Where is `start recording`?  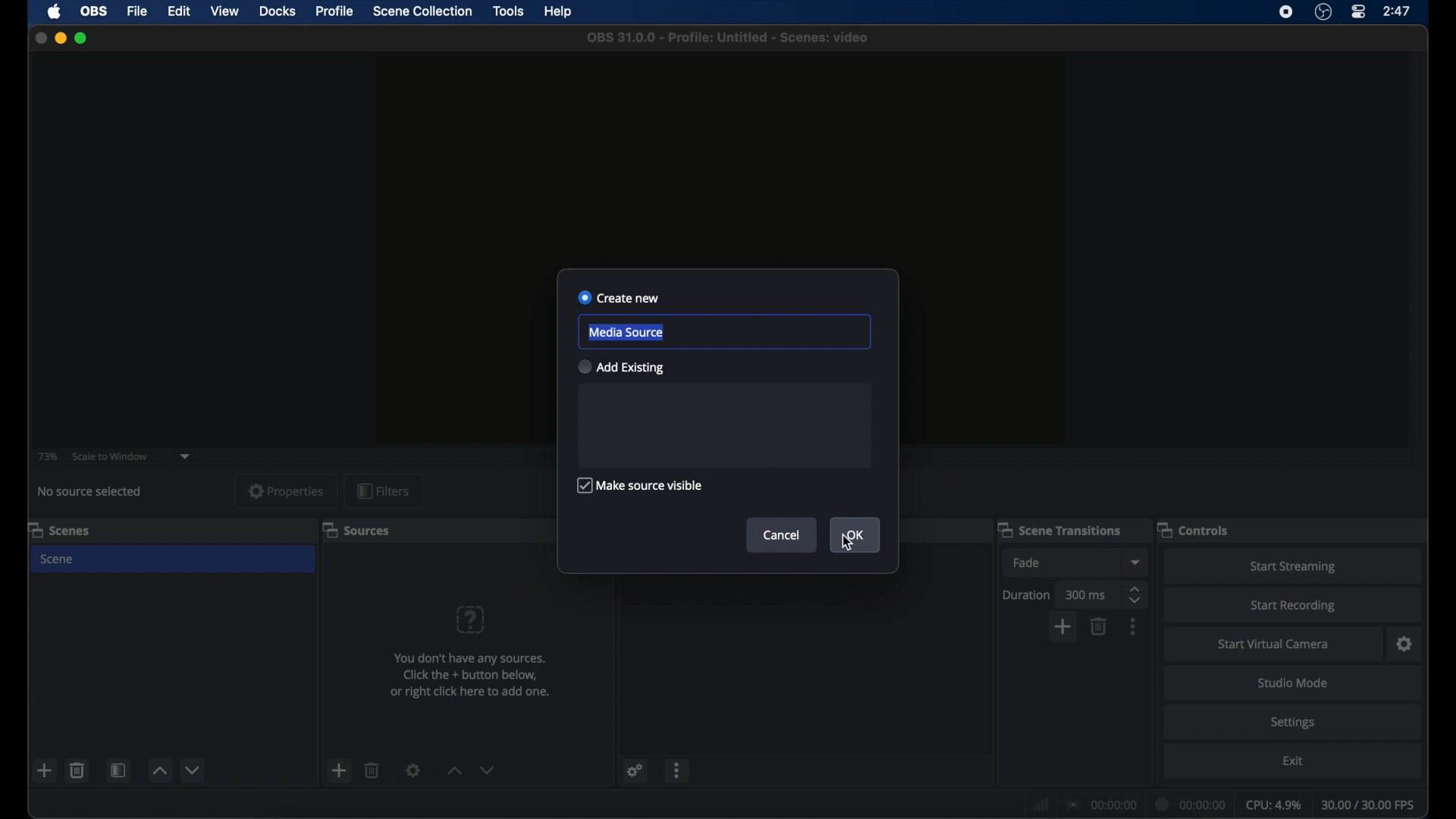
start recording is located at coordinates (1293, 606).